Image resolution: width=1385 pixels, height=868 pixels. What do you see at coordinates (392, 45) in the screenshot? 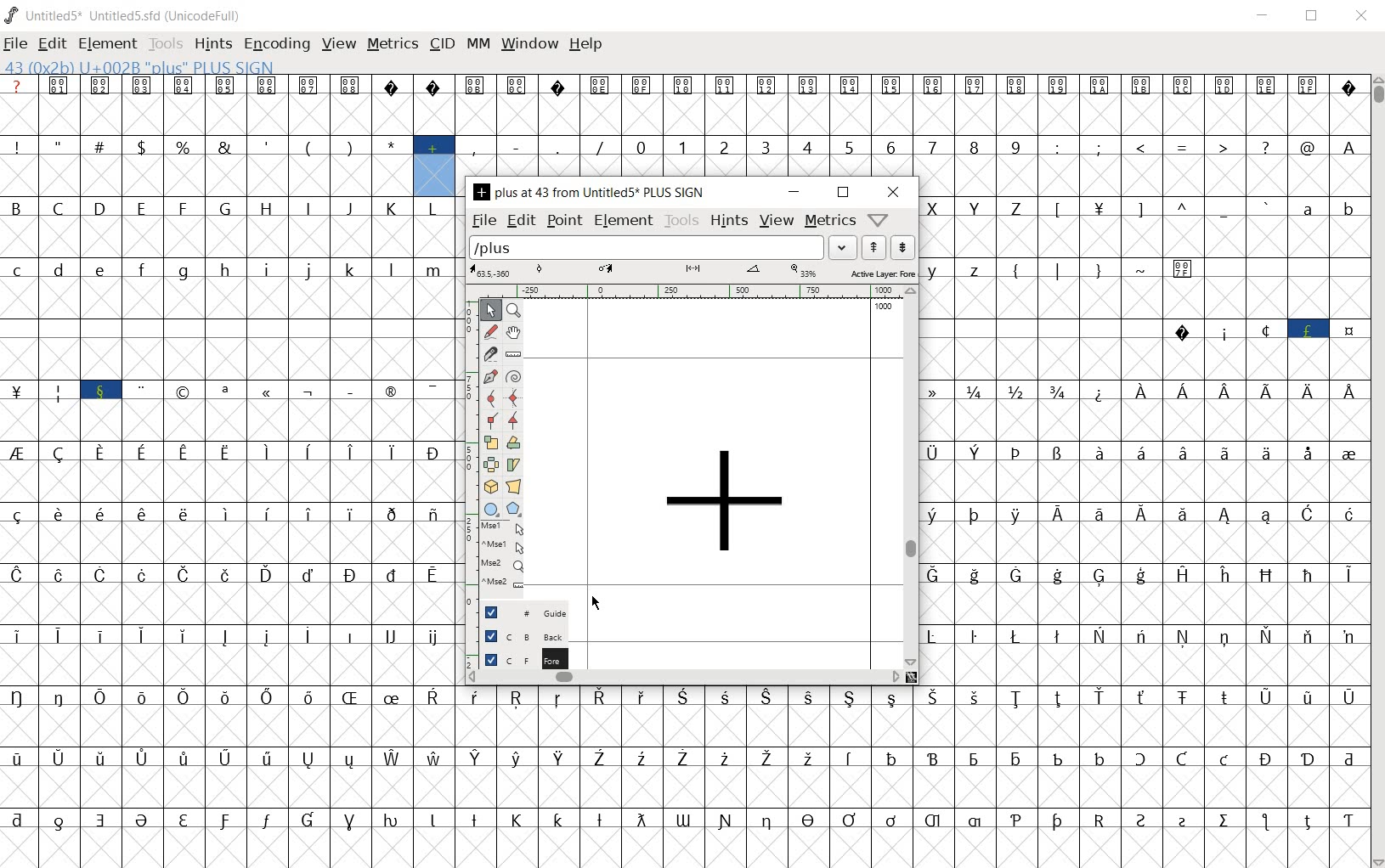
I see `metrics` at bounding box center [392, 45].